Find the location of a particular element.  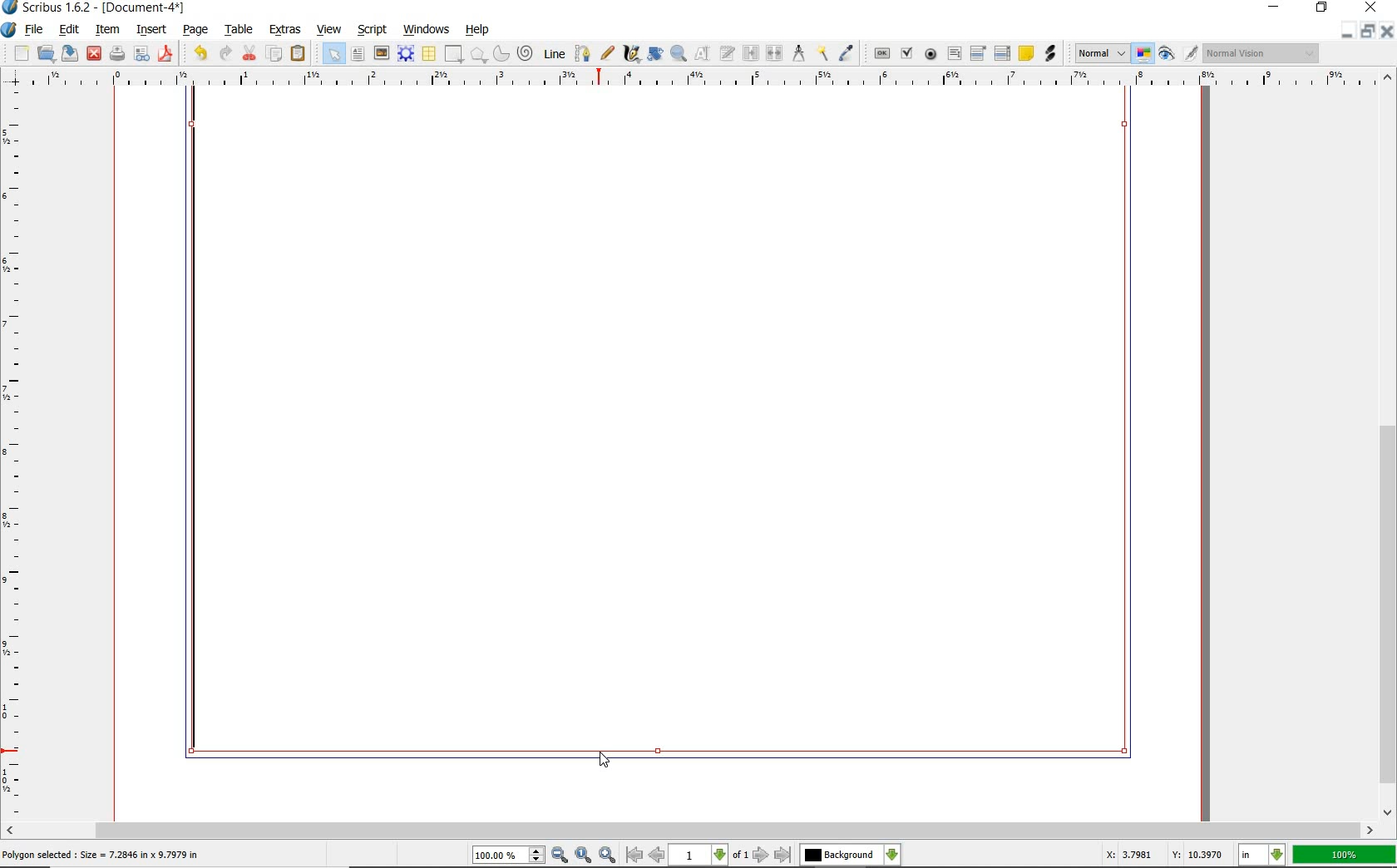

minimize is located at coordinates (1275, 7).